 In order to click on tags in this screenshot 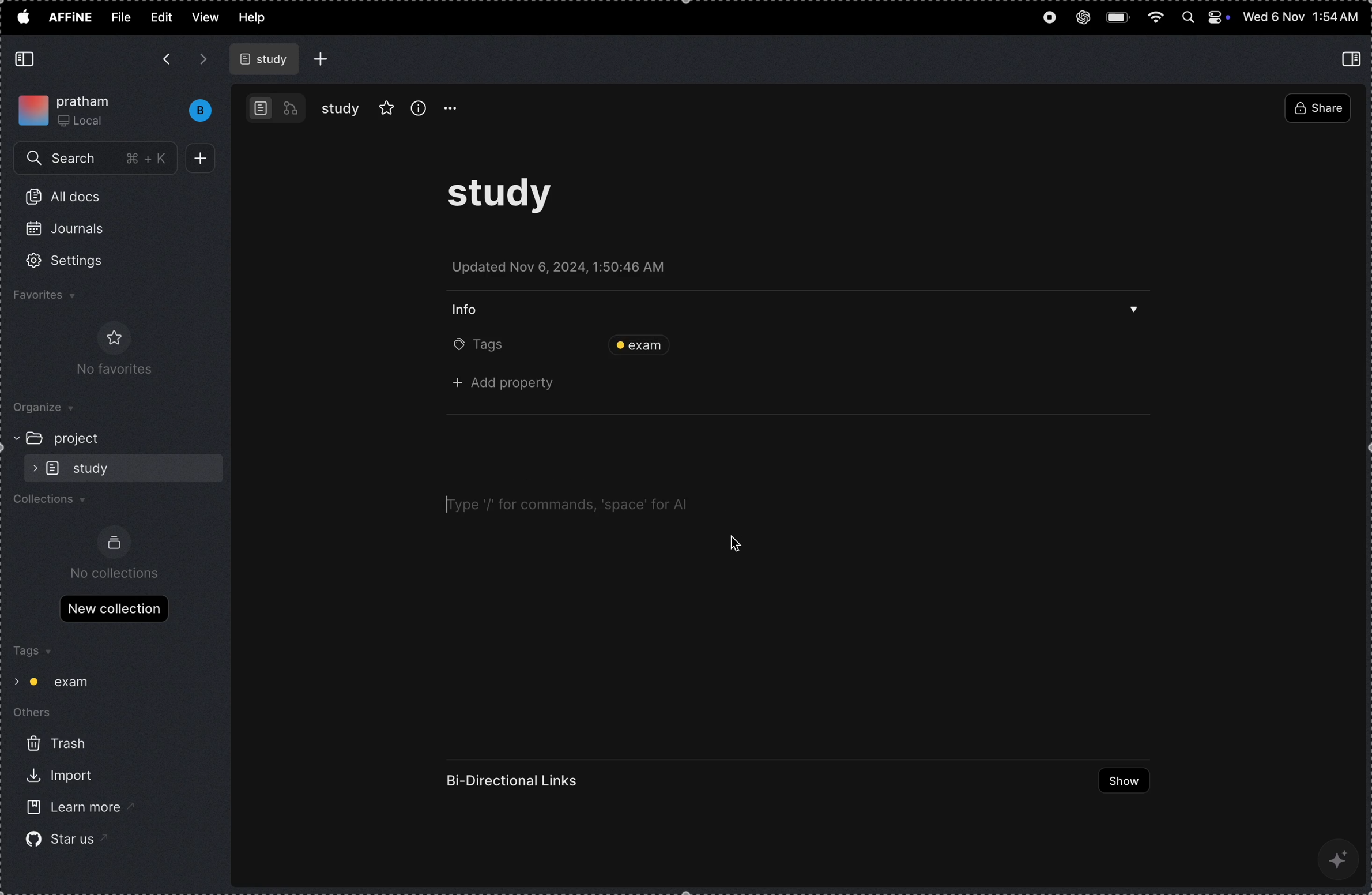, I will do `click(31, 652)`.